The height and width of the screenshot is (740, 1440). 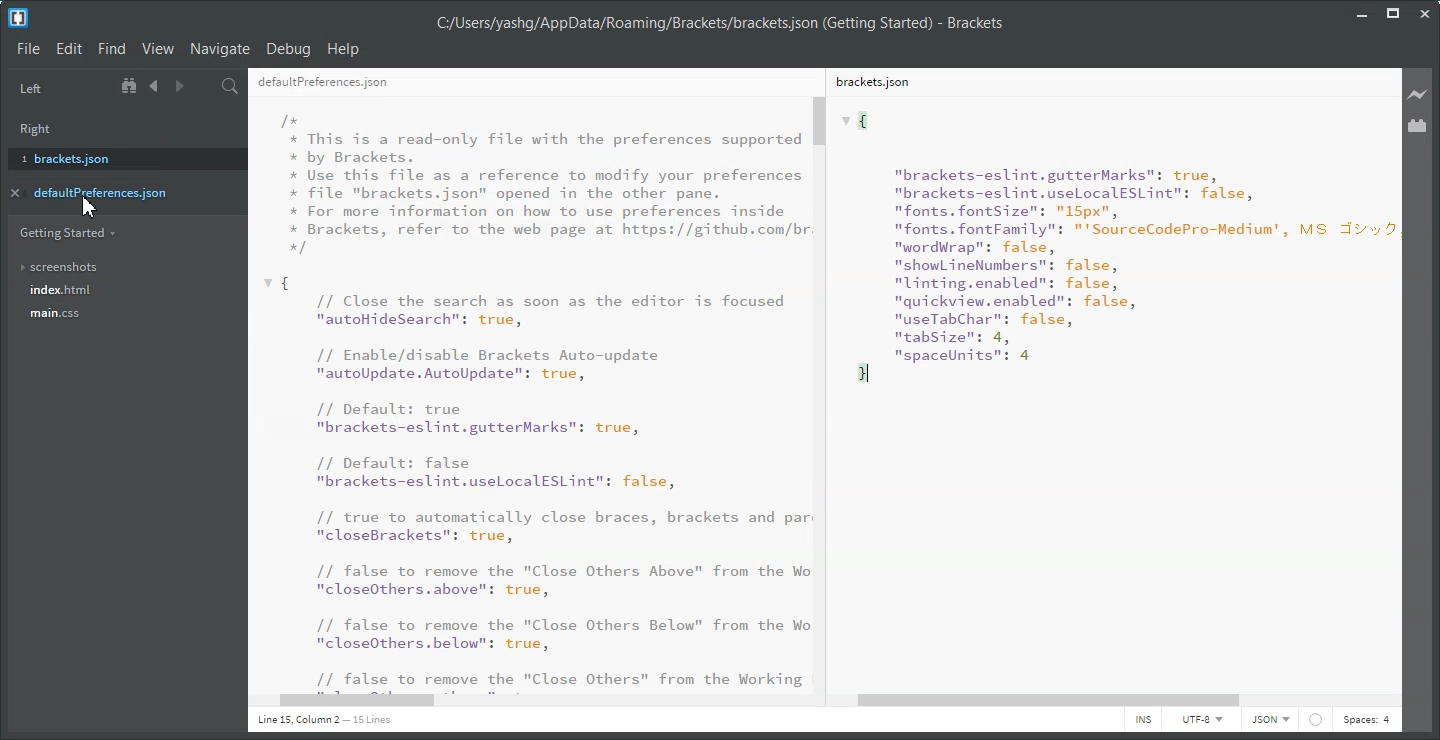 What do you see at coordinates (111, 49) in the screenshot?
I see `Find` at bounding box center [111, 49].